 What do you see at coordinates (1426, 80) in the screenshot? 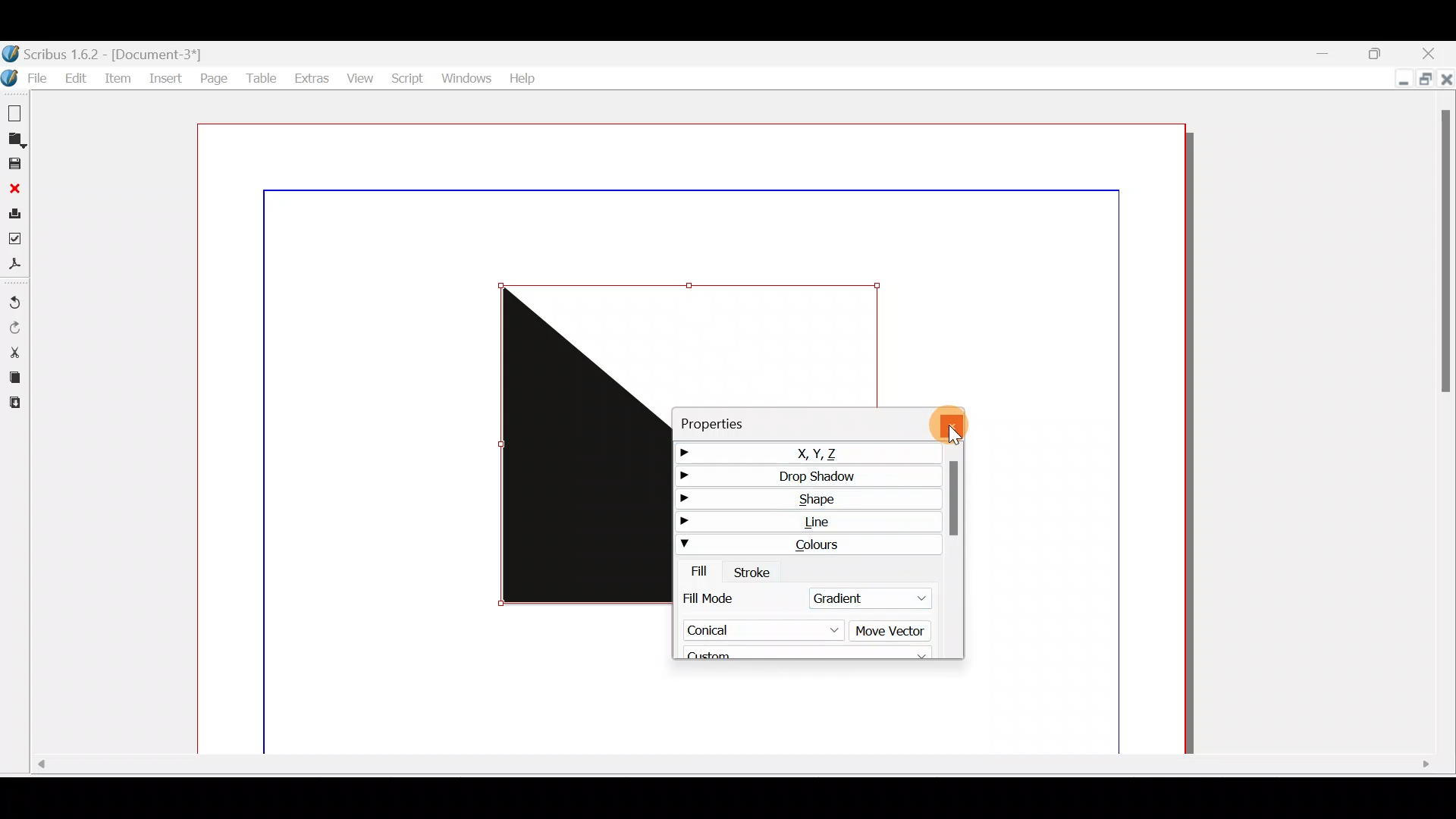
I see `Maximise` at bounding box center [1426, 80].